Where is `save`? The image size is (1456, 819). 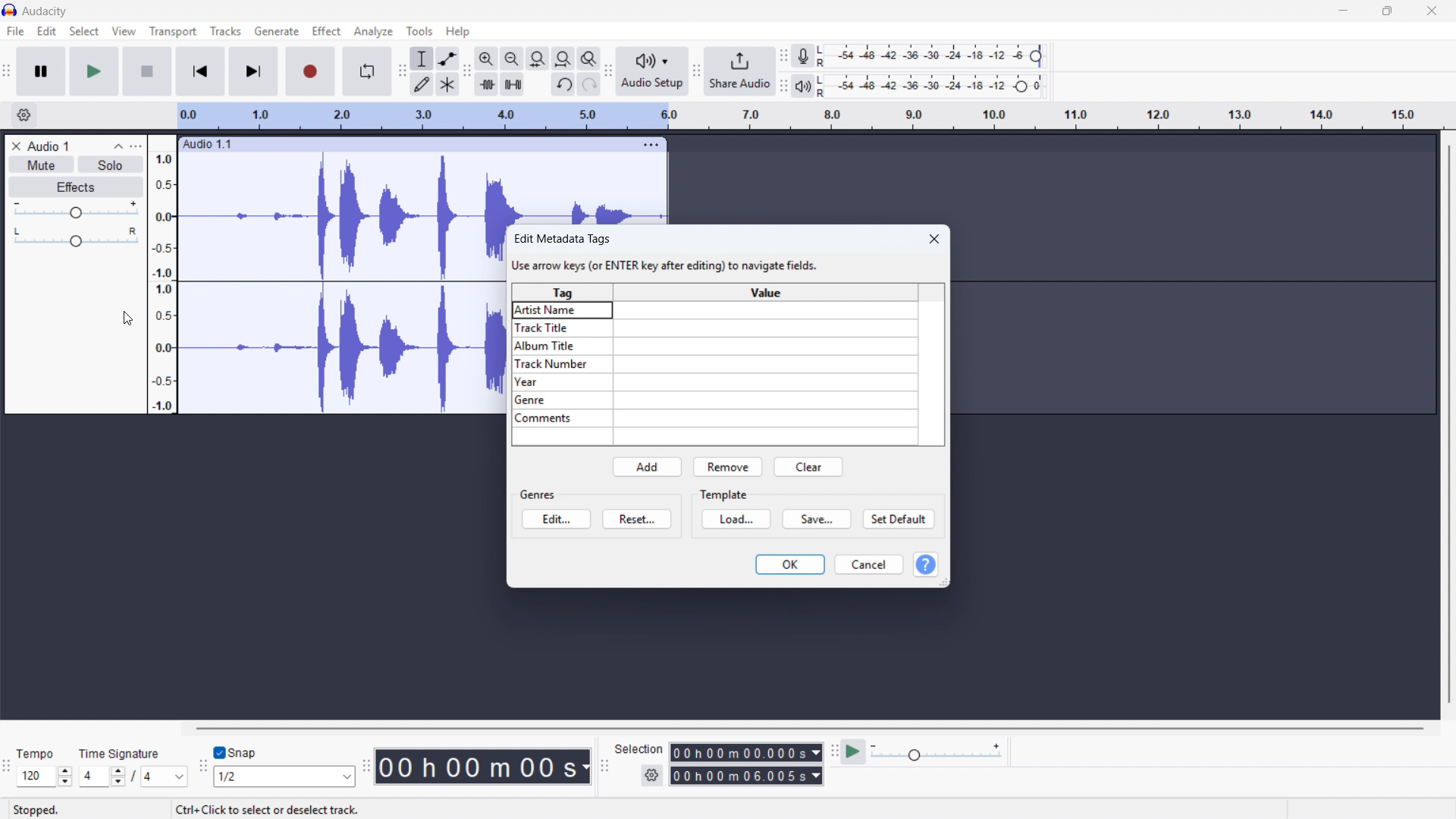 save is located at coordinates (817, 519).